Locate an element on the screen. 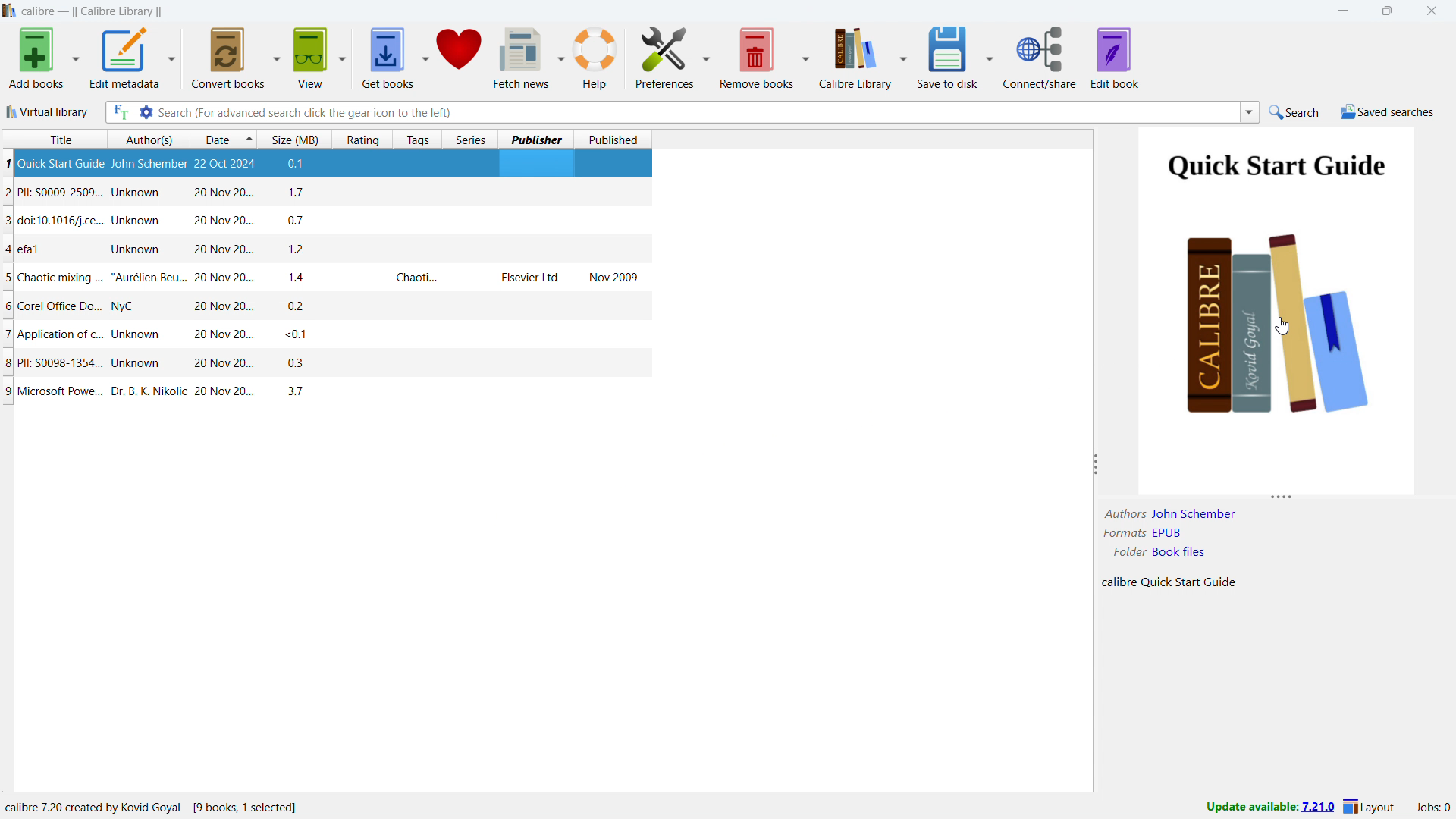  fetch news options is located at coordinates (560, 58).